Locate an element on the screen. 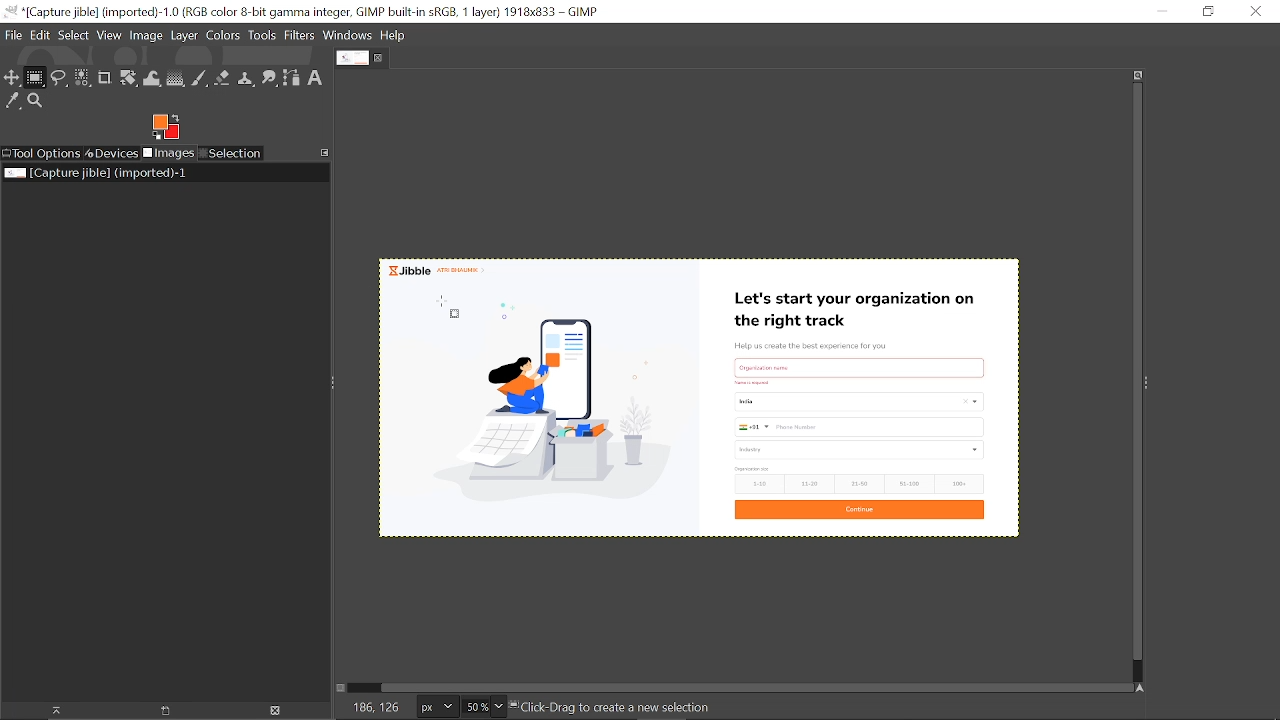 The image size is (1280, 720). Phone Number is located at coordinates (858, 427).